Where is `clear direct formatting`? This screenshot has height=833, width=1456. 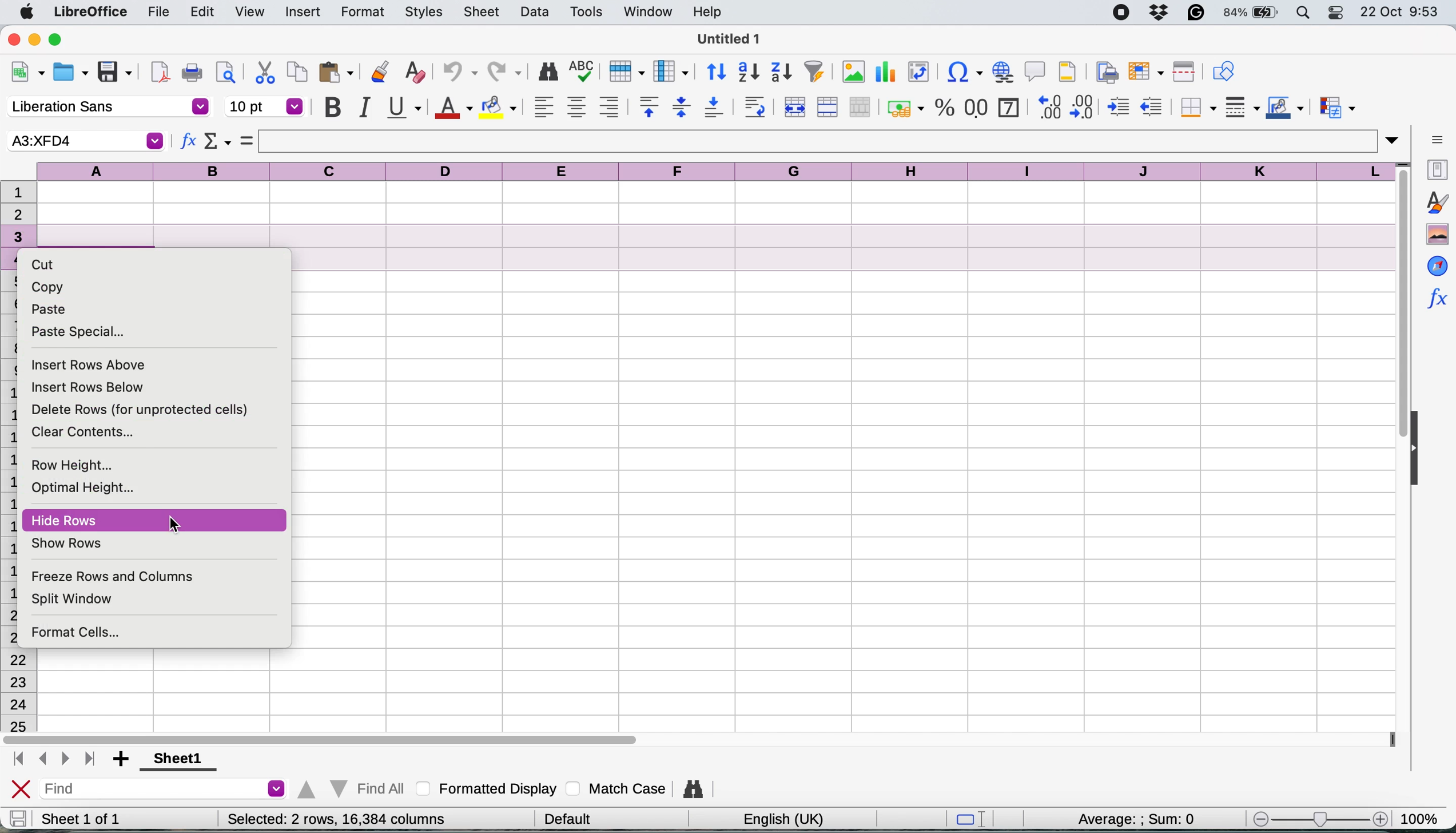
clear direct formatting is located at coordinates (415, 73).